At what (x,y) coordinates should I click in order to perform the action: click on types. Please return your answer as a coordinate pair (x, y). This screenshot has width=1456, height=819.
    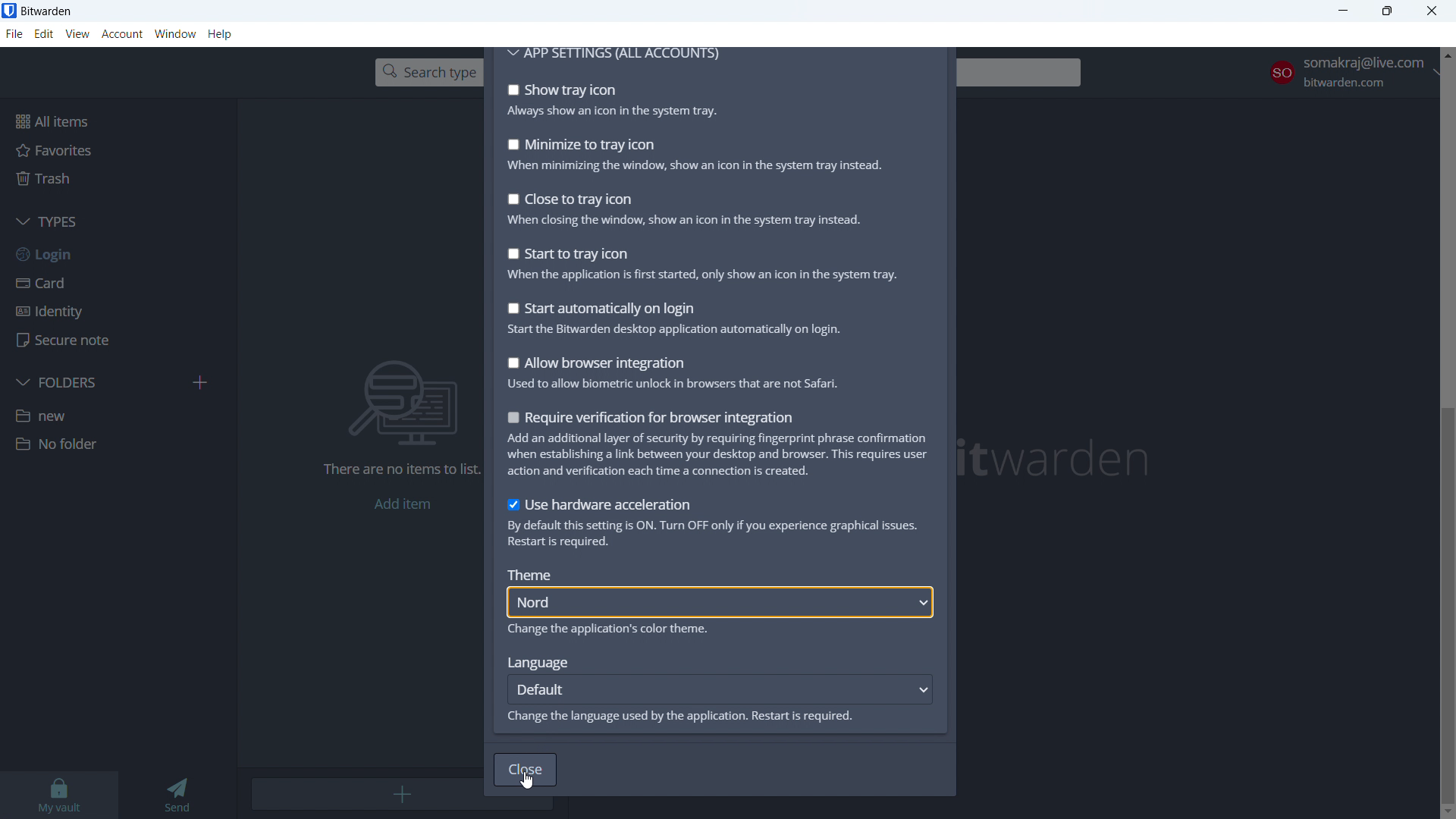
    Looking at the image, I should click on (118, 222).